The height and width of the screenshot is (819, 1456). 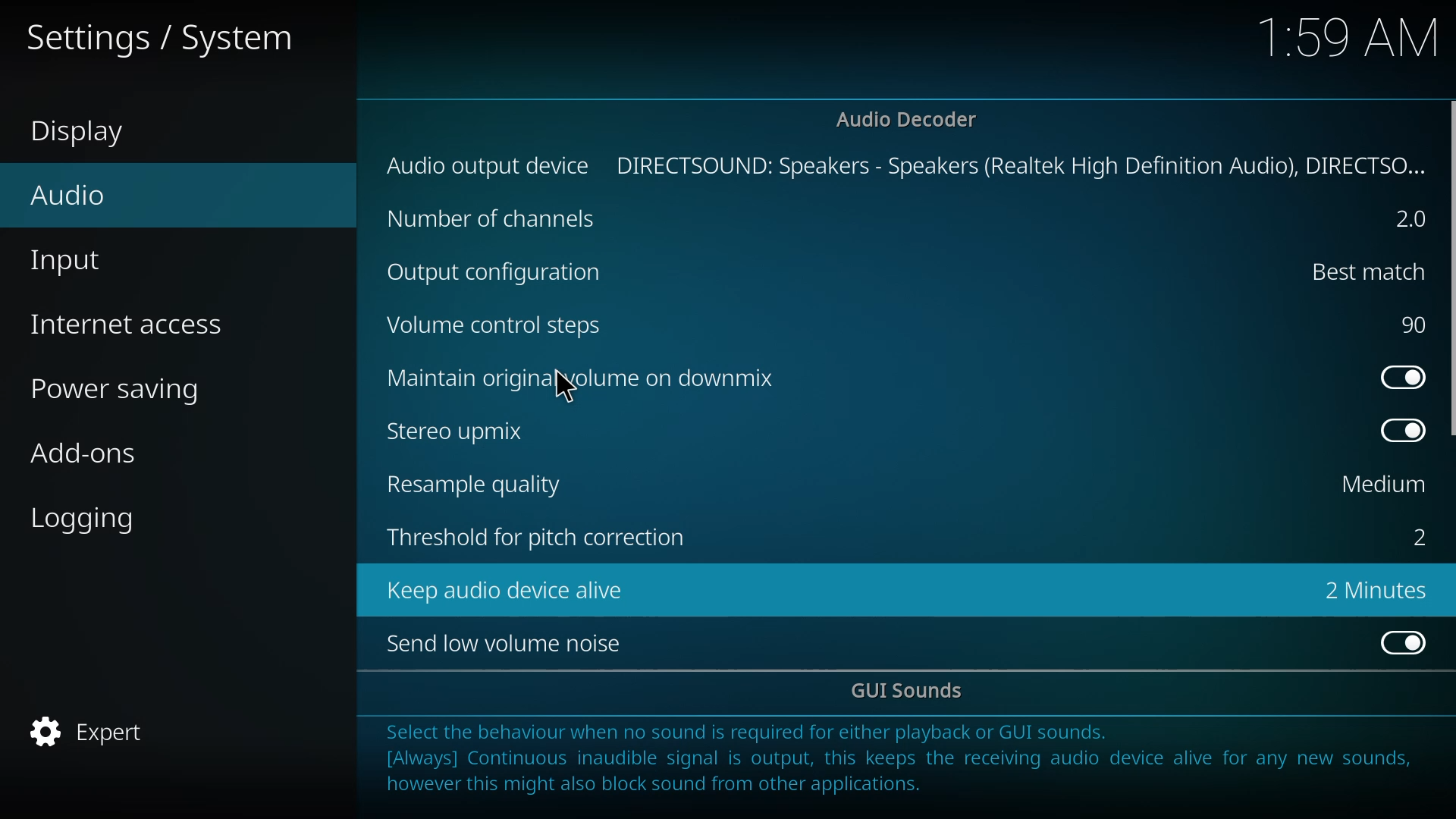 I want to click on maintain original volume o downmix, so click(x=585, y=378).